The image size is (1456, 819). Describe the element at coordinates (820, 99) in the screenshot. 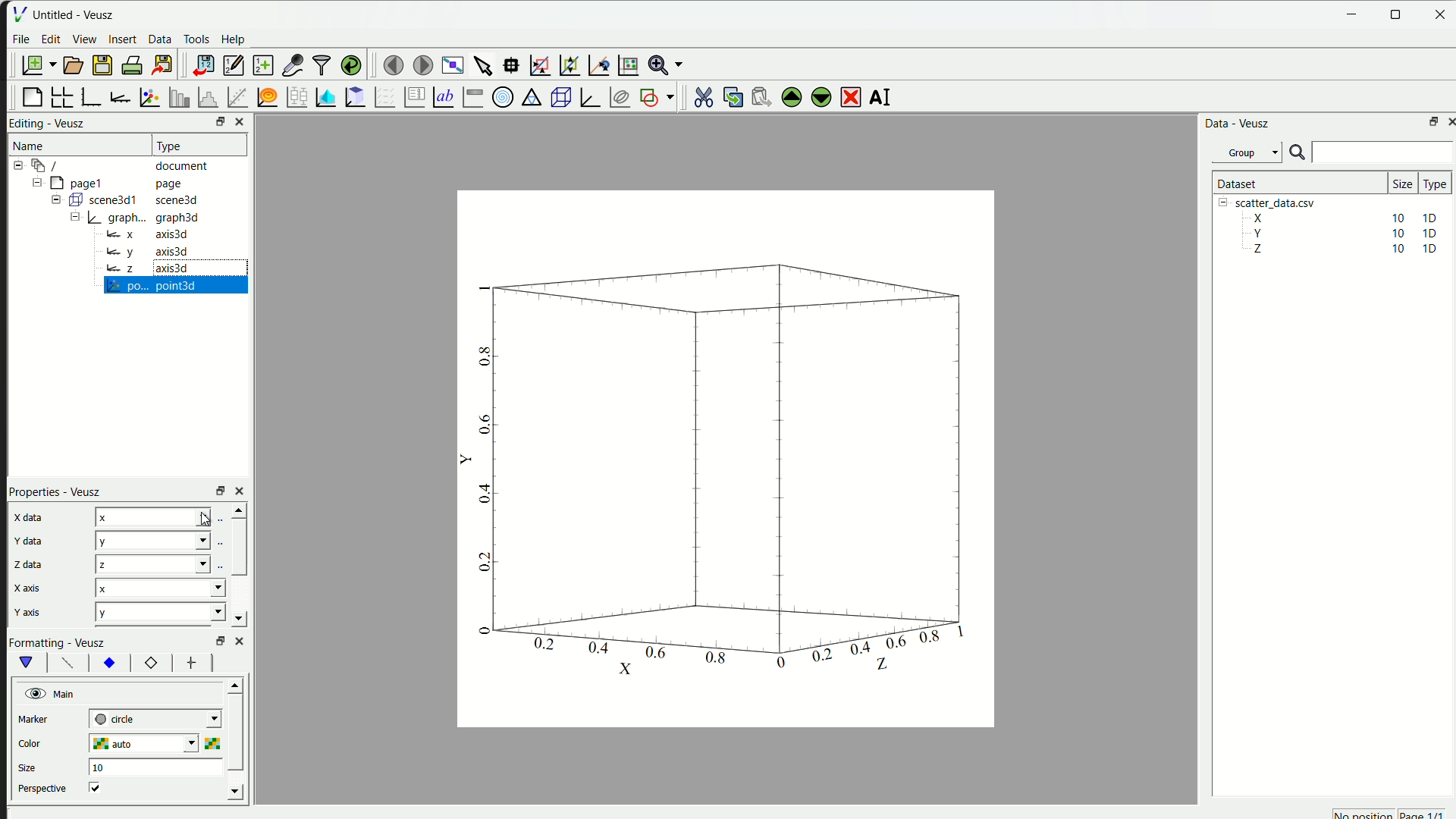

I see `move down the selected widget` at that location.